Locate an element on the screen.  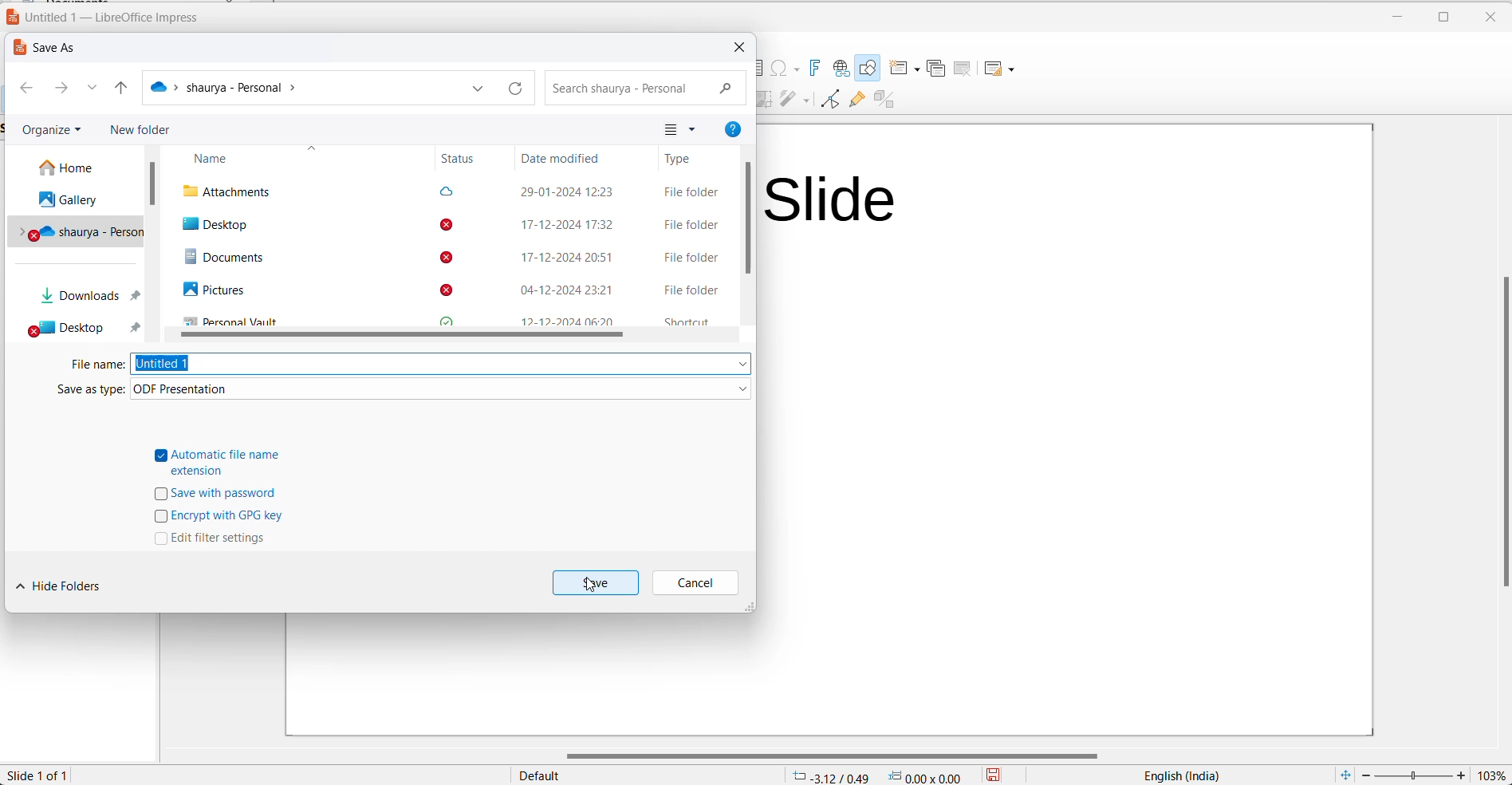
save is located at coordinates (999, 775).